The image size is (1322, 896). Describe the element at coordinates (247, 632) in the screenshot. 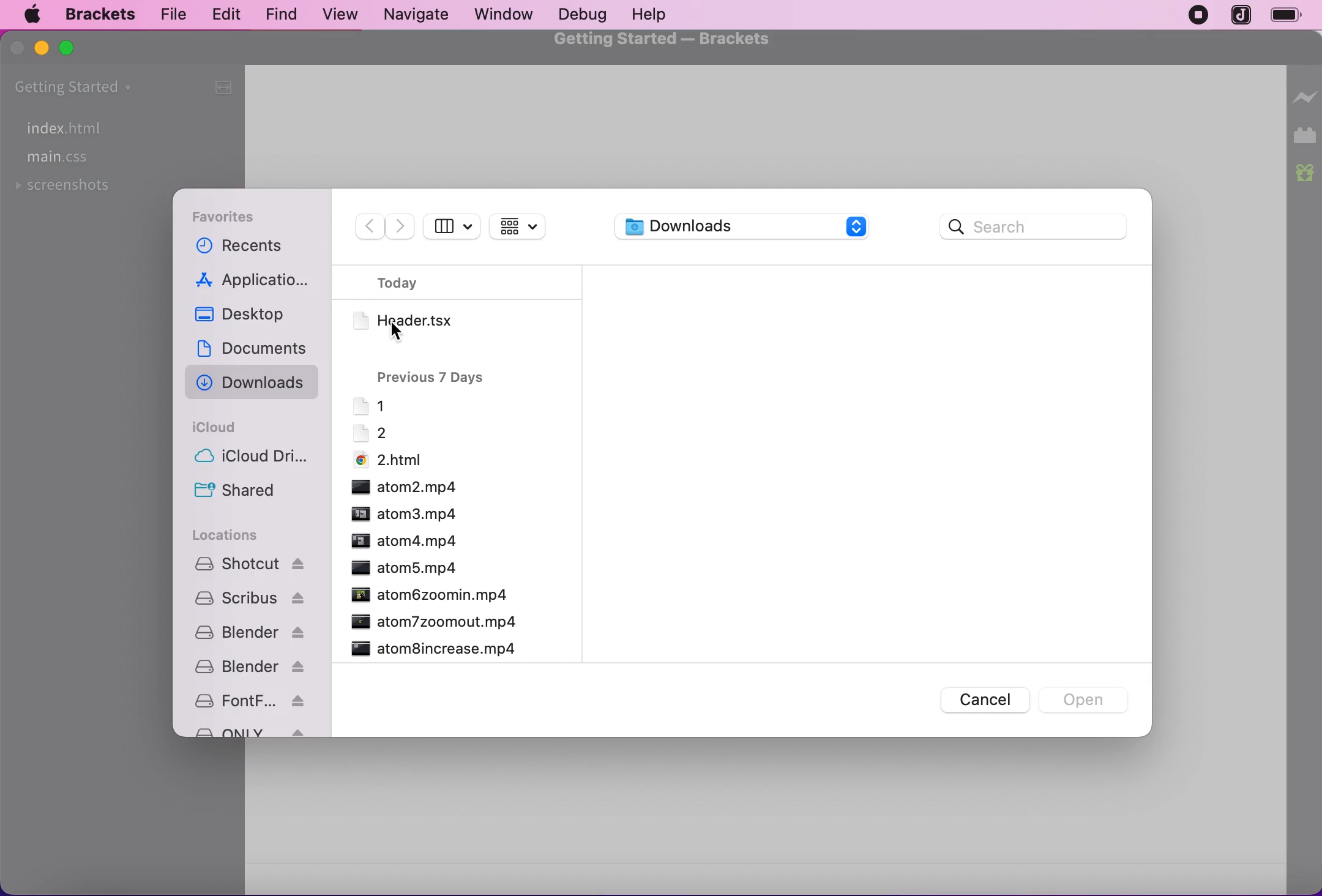

I see `blender` at that location.